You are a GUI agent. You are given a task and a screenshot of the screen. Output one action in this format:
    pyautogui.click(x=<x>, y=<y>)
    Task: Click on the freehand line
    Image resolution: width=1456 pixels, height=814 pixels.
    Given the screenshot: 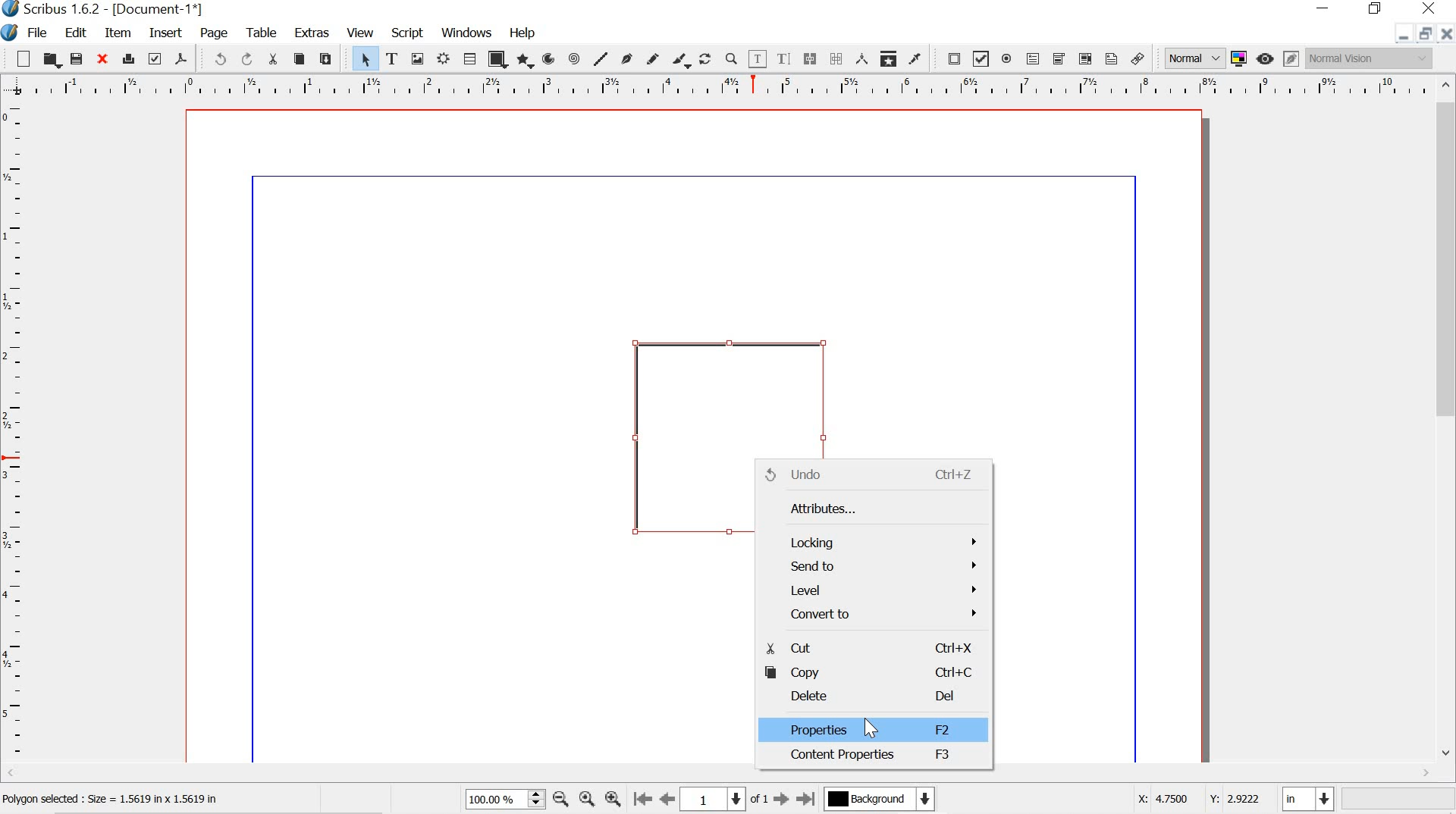 What is the action you would take?
    pyautogui.click(x=652, y=58)
    